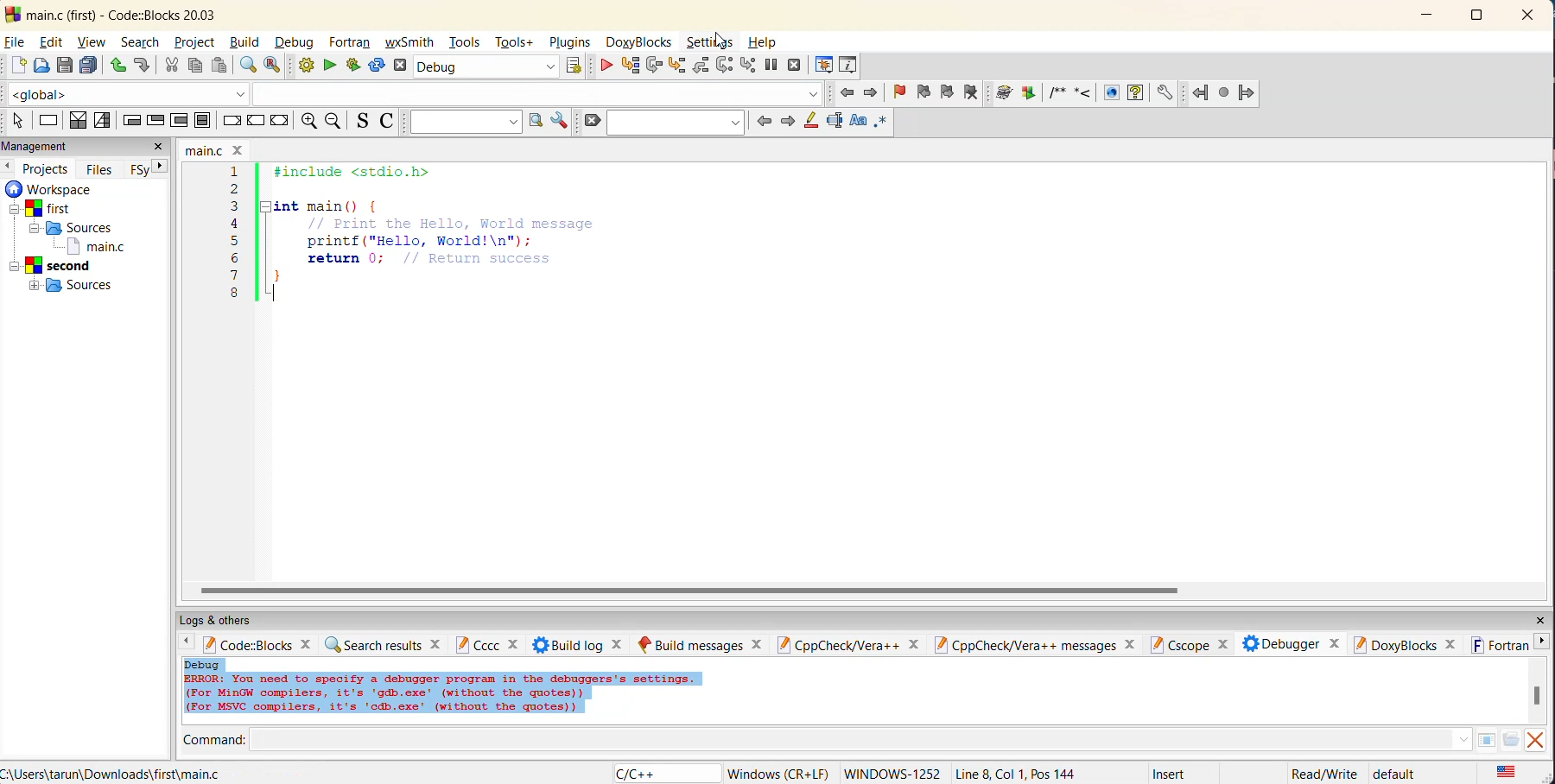 The image size is (1555, 784). What do you see at coordinates (1536, 620) in the screenshot?
I see `close` at bounding box center [1536, 620].